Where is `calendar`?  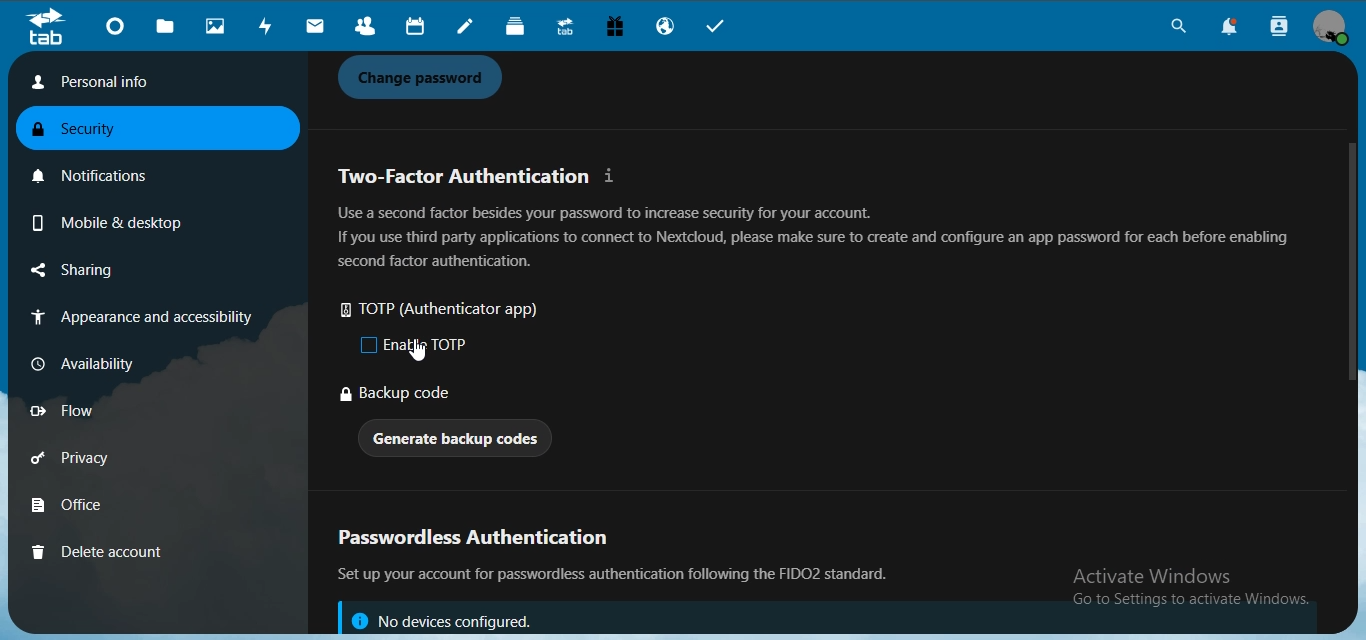 calendar is located at coordinates (413, 27).